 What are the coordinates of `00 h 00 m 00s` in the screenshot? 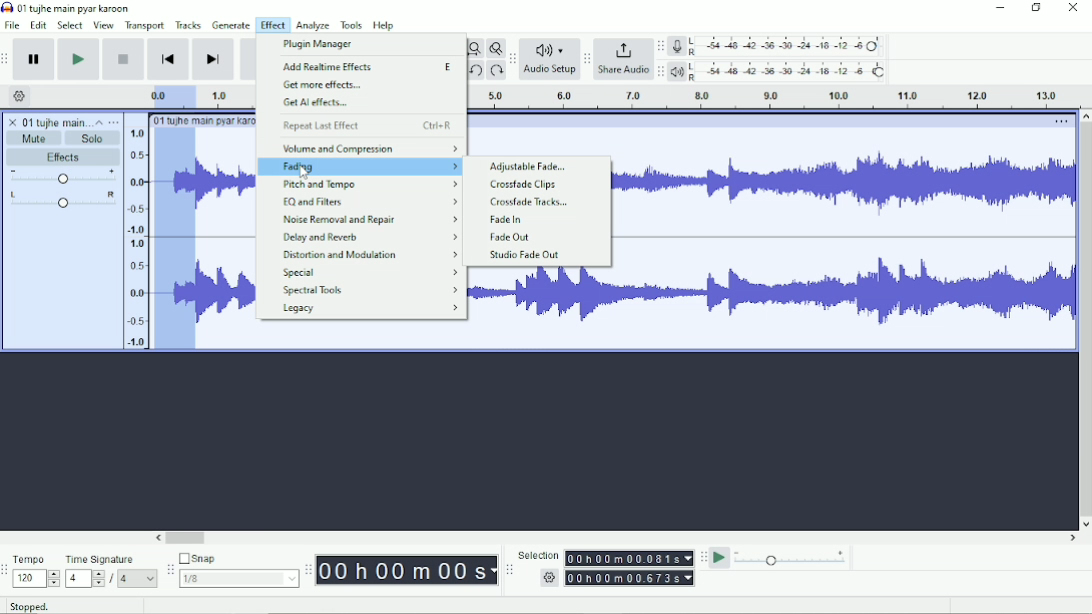 It's located at (407, 570).